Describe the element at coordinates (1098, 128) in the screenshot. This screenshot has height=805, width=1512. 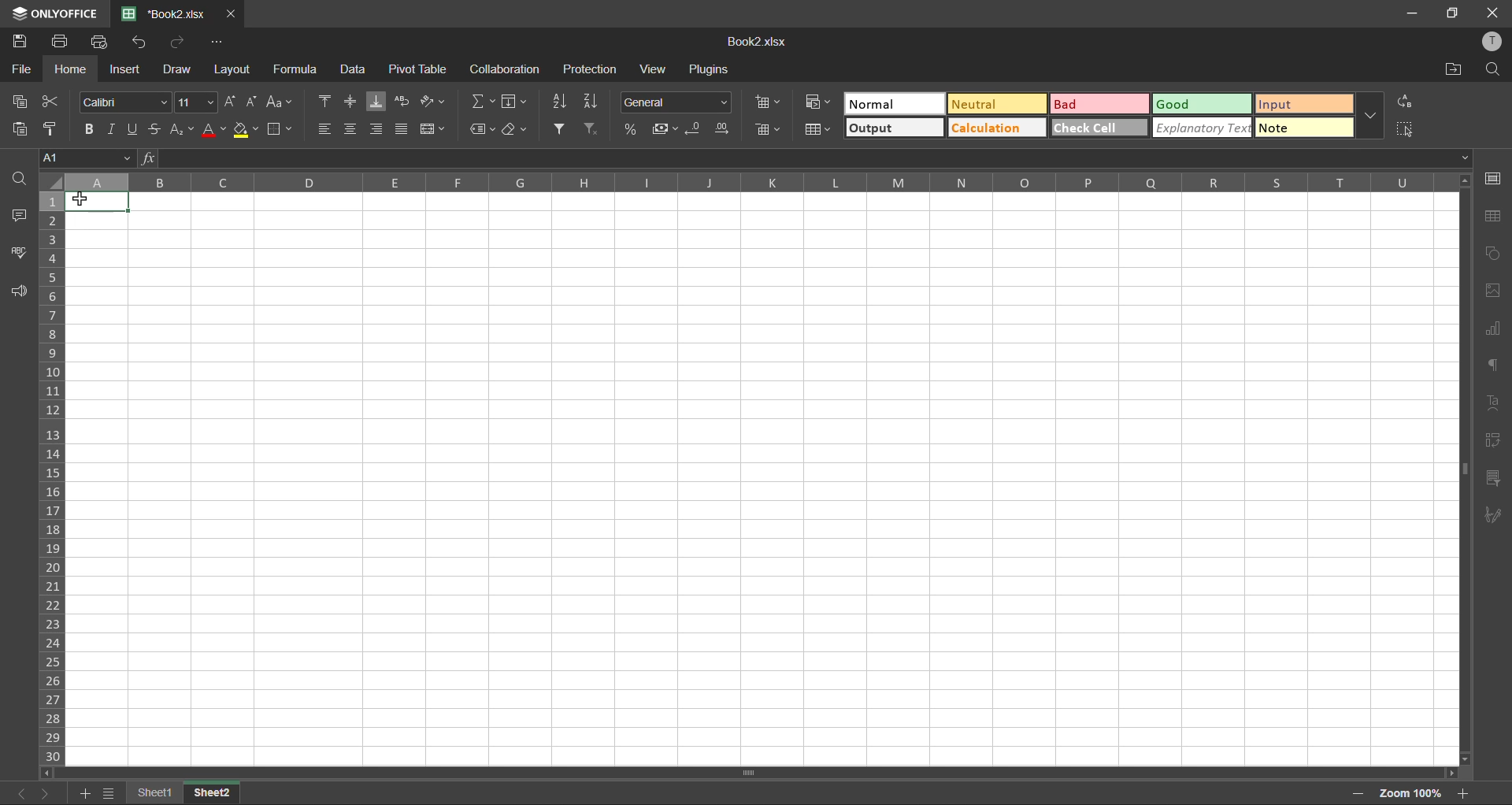
I see `check cell` at that location.